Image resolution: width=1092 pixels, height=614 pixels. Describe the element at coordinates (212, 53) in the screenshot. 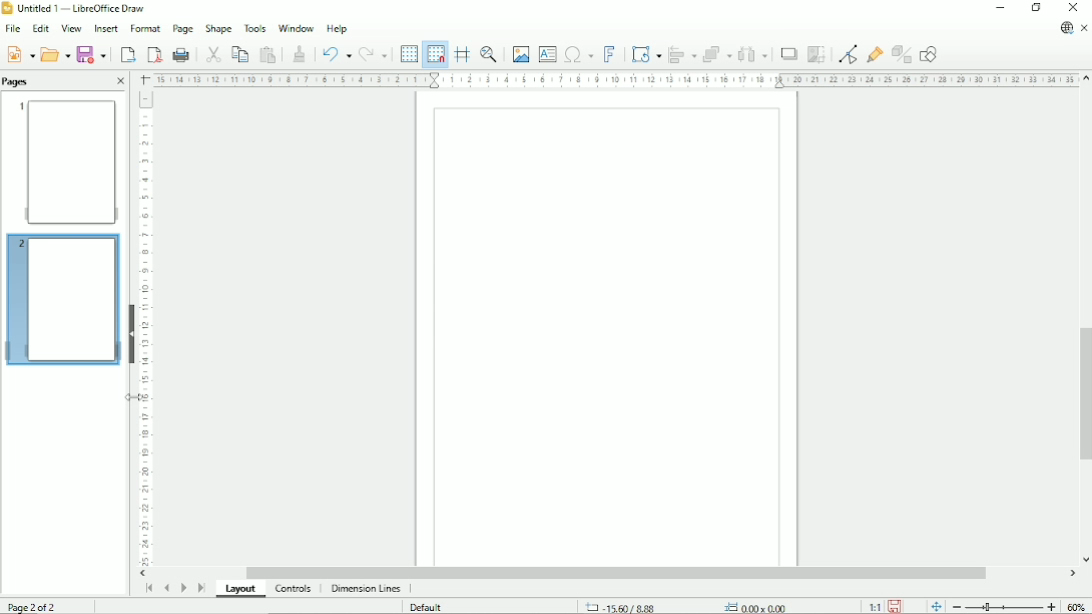

I see `Cut` at that location.